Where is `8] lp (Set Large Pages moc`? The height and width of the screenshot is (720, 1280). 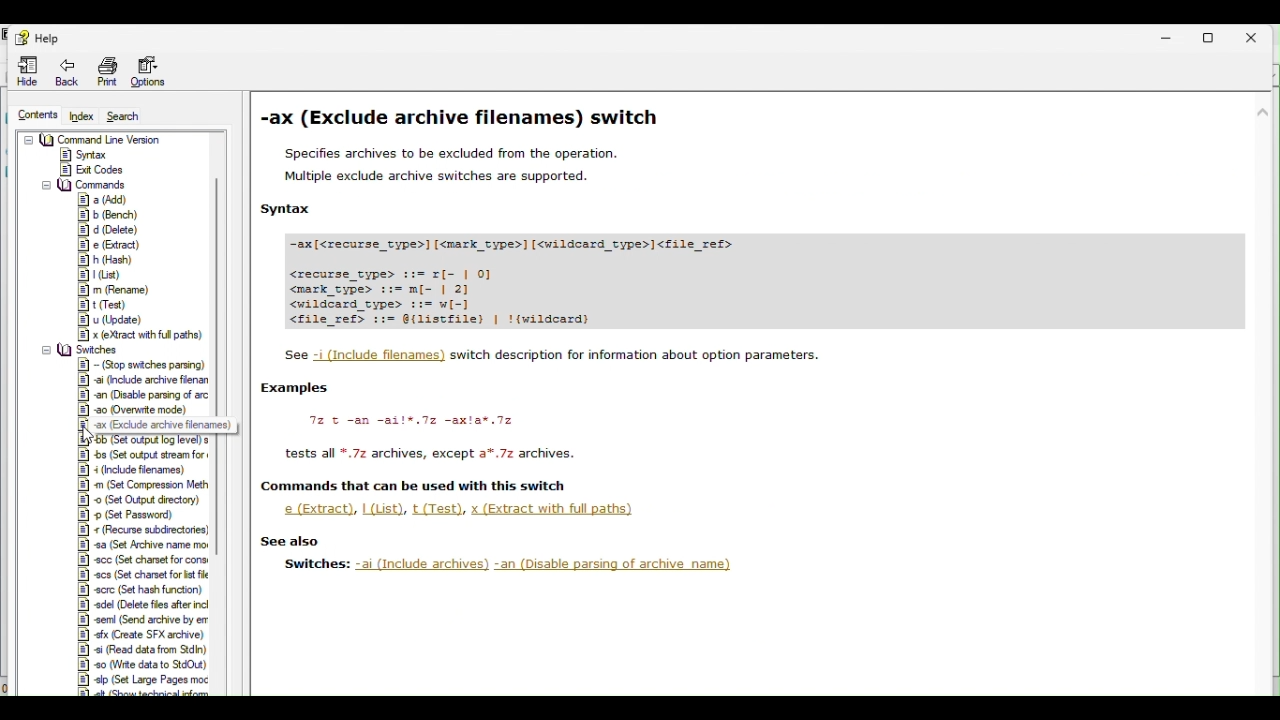
8] lp (Set Large Pages moc is located at coordinates (143, 678).